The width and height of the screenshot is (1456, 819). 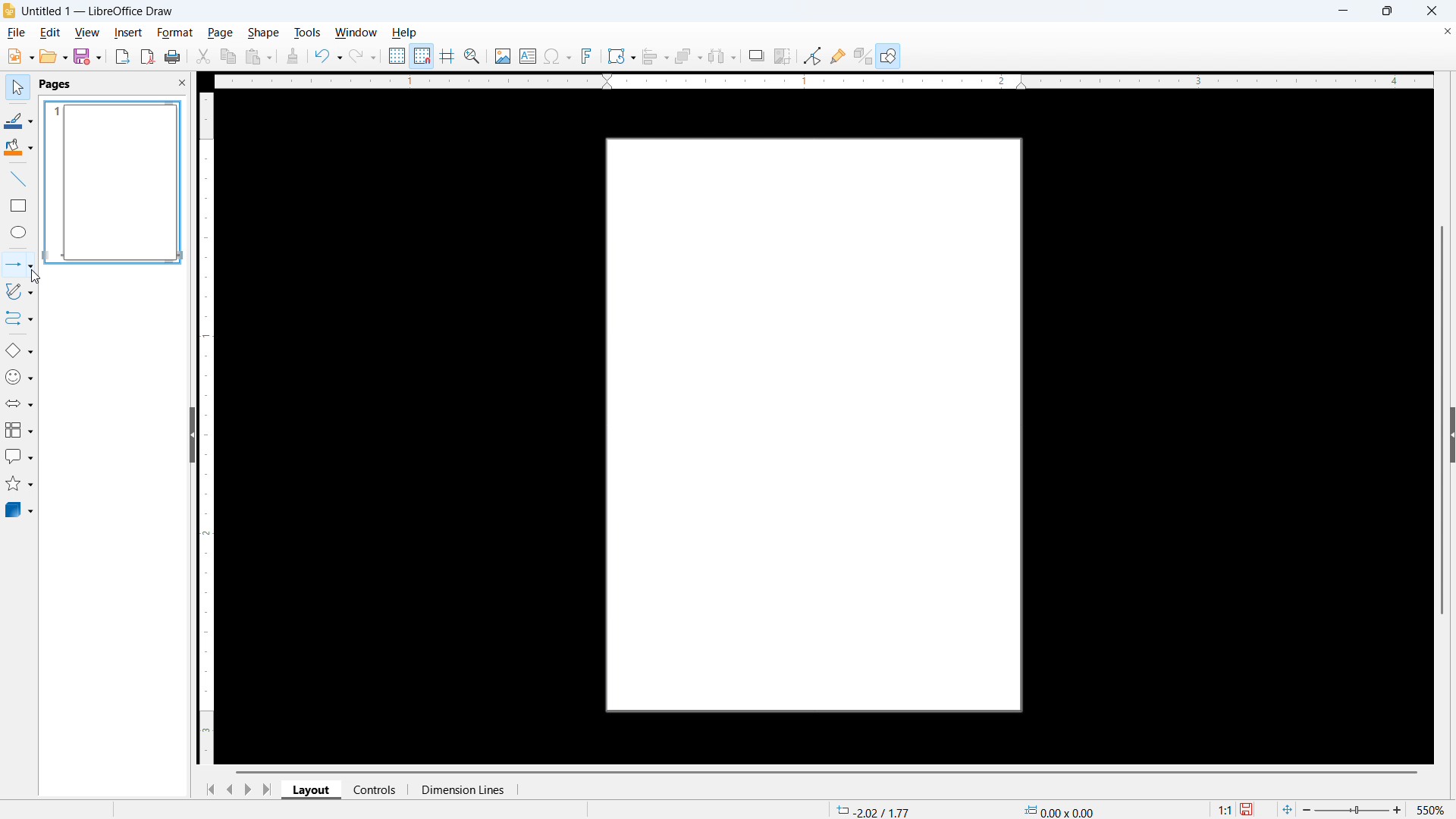 What do you see at coordinates (181, 82) in the screenshot?
I see `Close panel ` at bounding box center [181, 82].